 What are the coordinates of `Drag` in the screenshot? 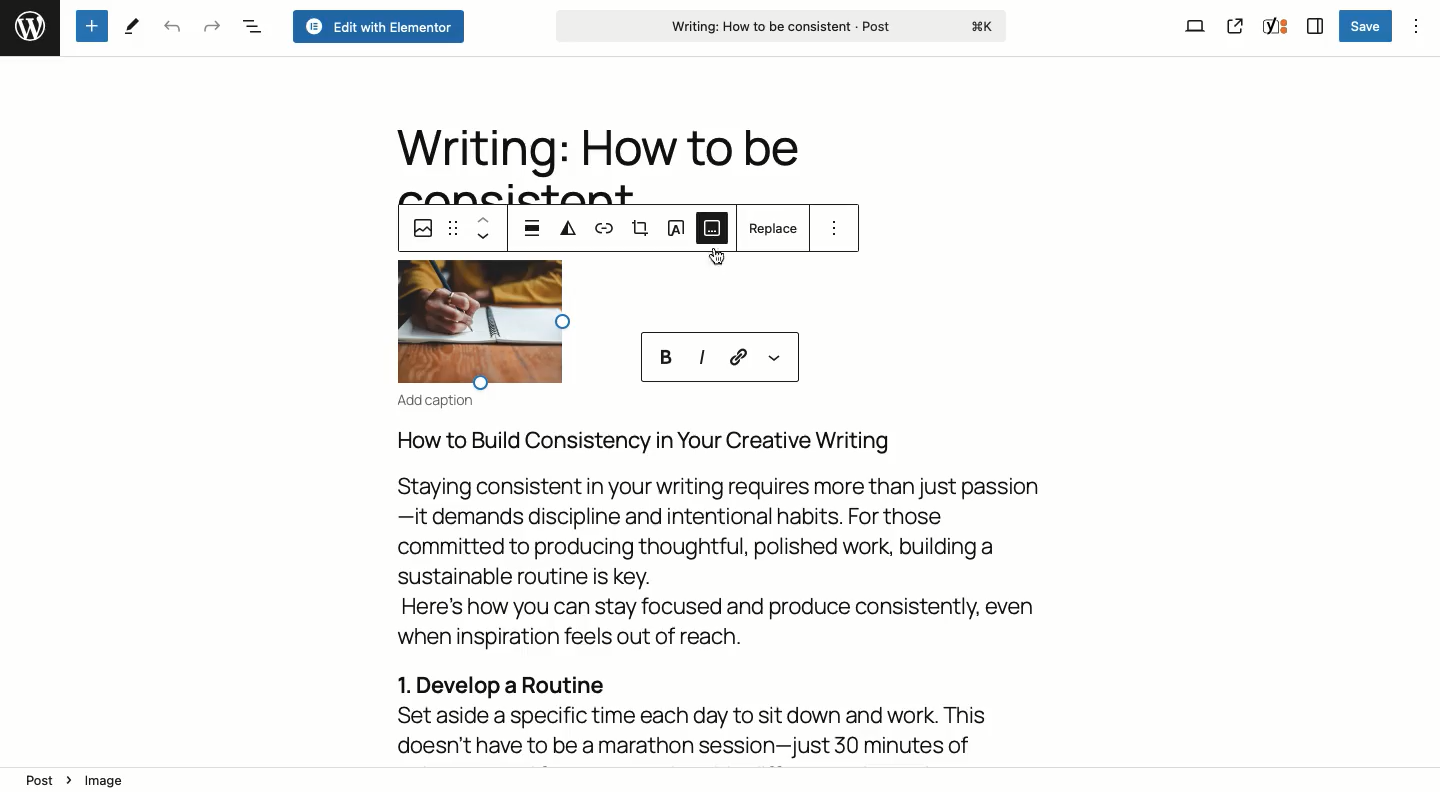 It's located at (454, 228).